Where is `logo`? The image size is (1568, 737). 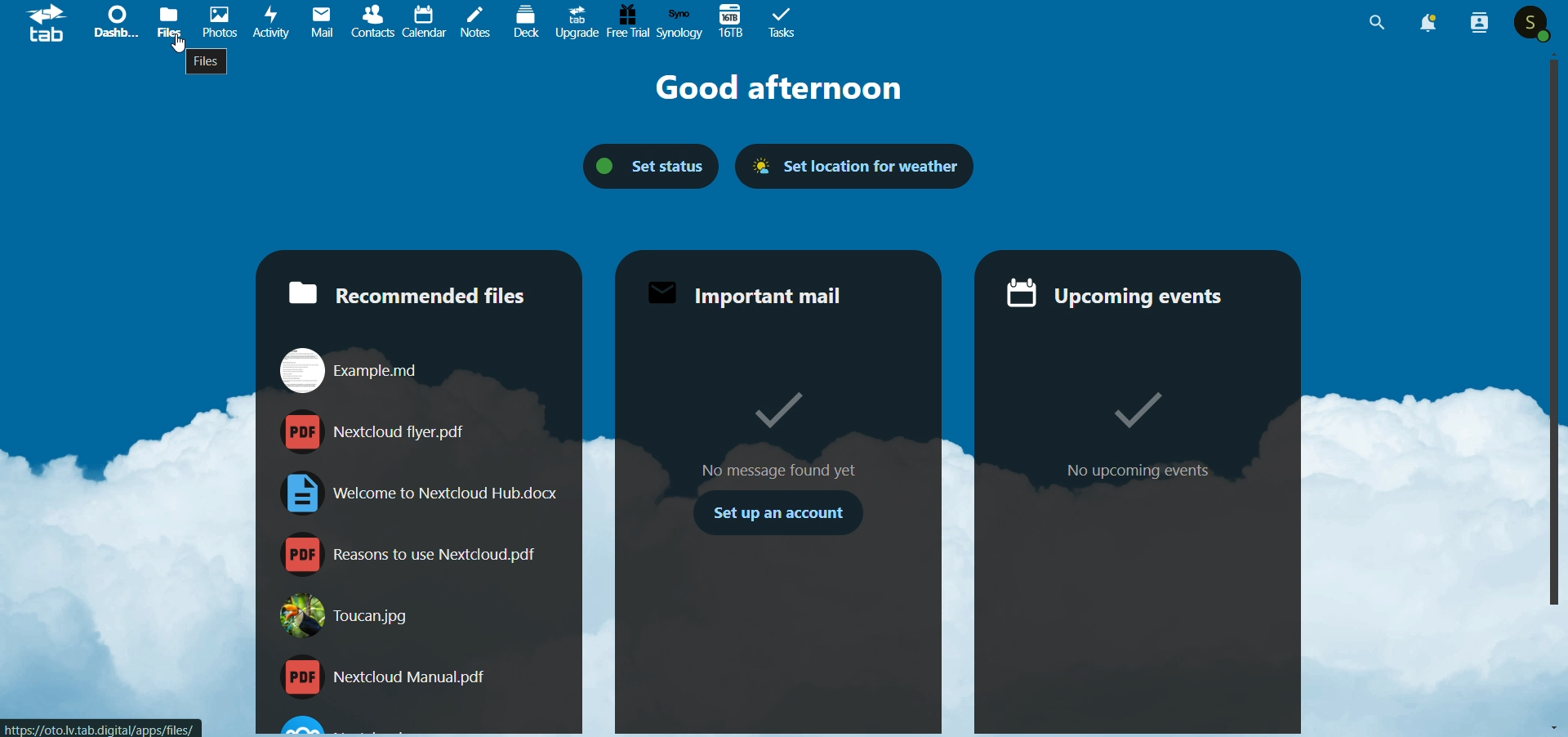 logo is located at coordinates (47, 26).